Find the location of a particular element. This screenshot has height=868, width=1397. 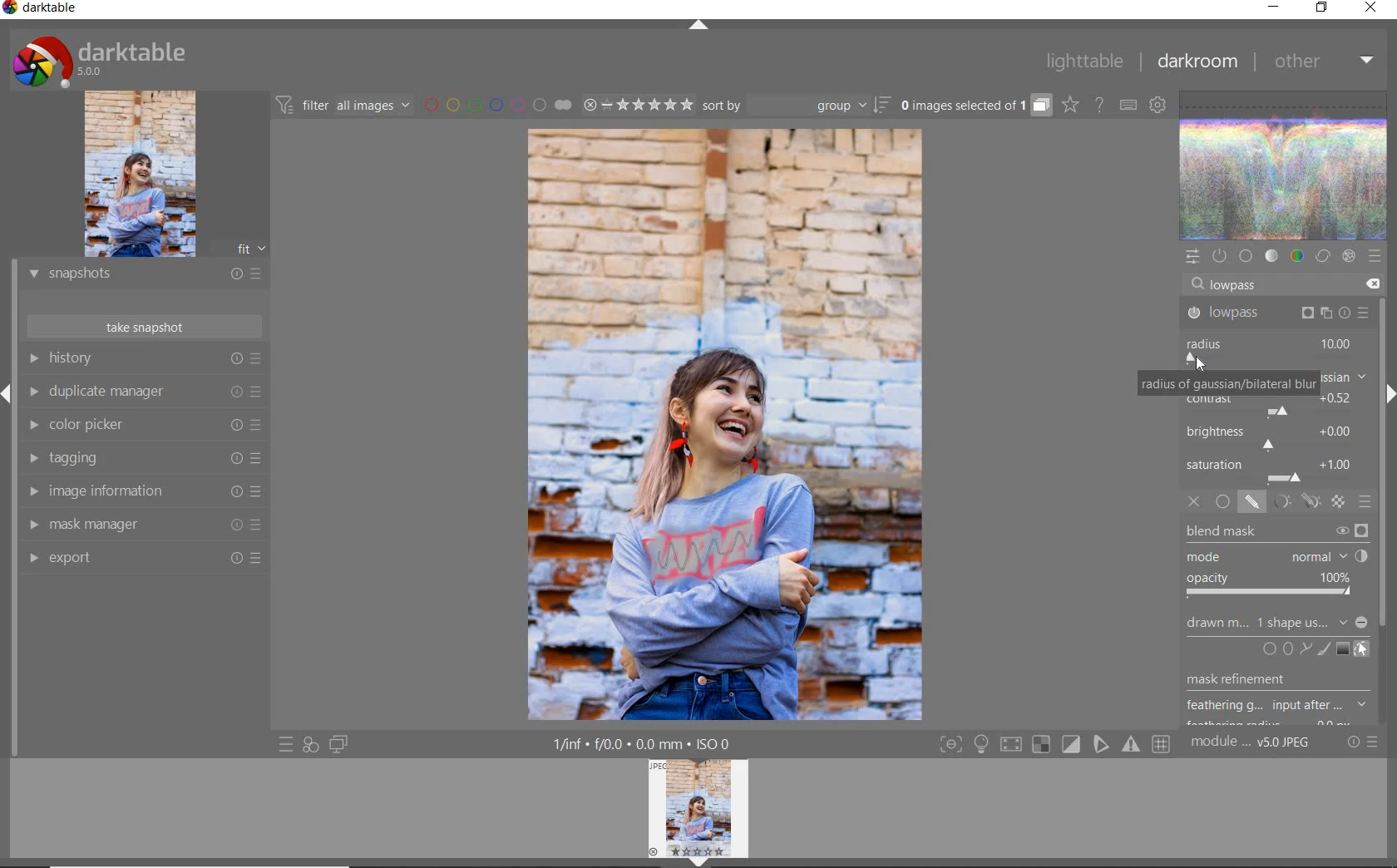

expand/collapse is located at coordinates (698, 25).